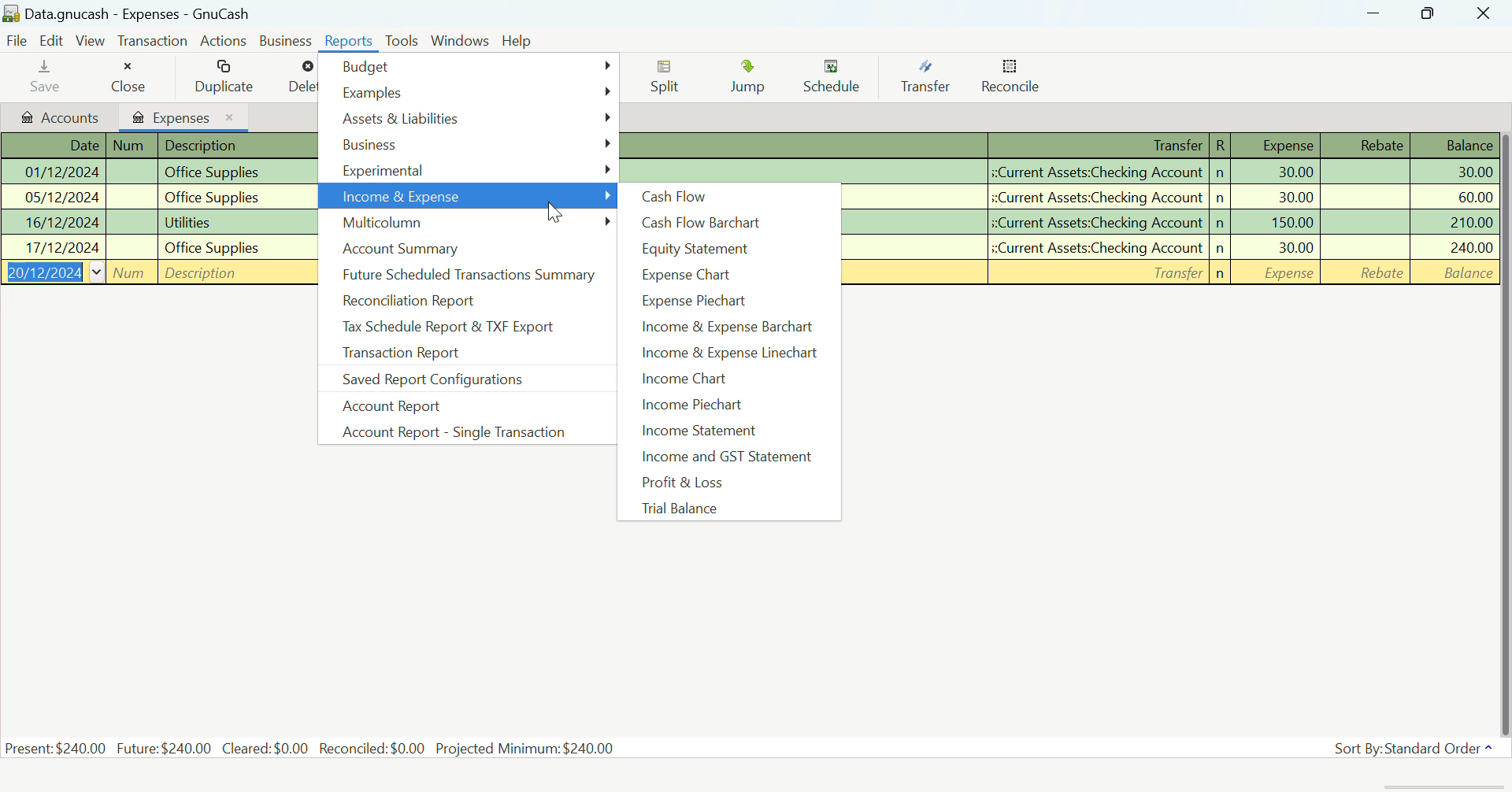  Describe the element at coordinates (728, 197) in the screenshot. I see `Cash Flow` at that location.